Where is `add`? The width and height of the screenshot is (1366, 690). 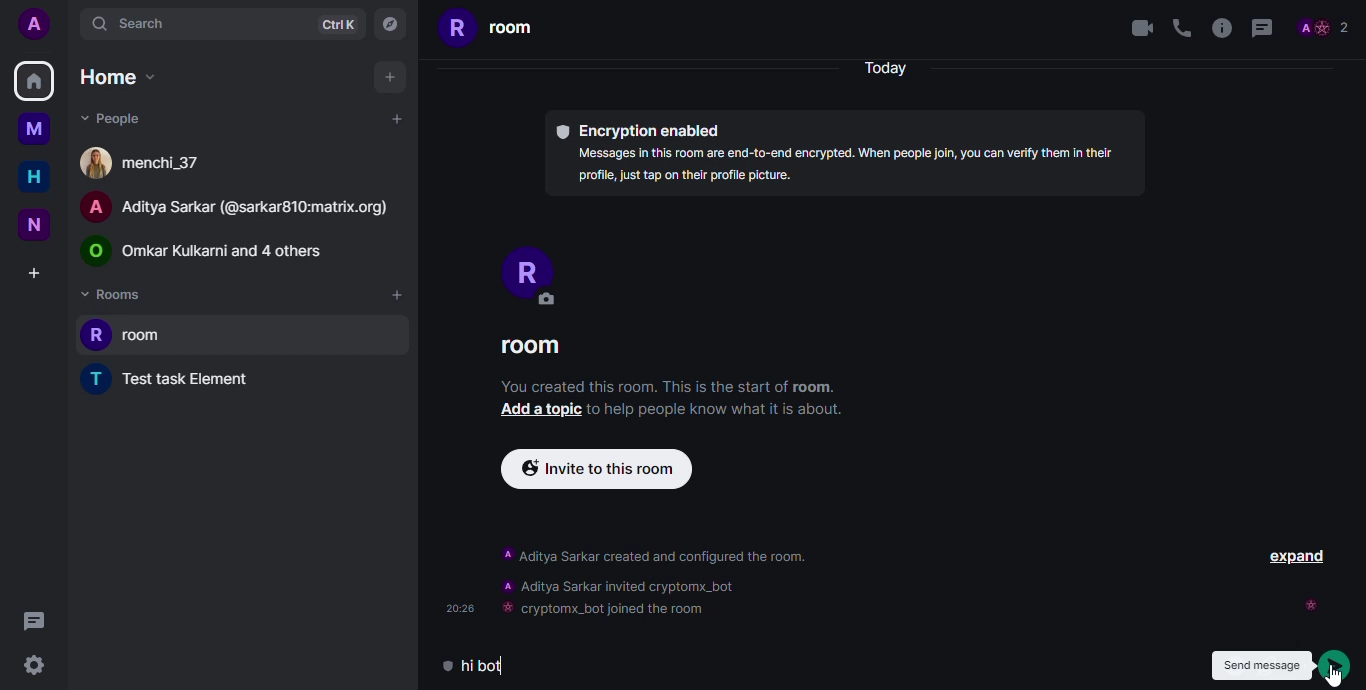
add is located at coordinates (398, 119).